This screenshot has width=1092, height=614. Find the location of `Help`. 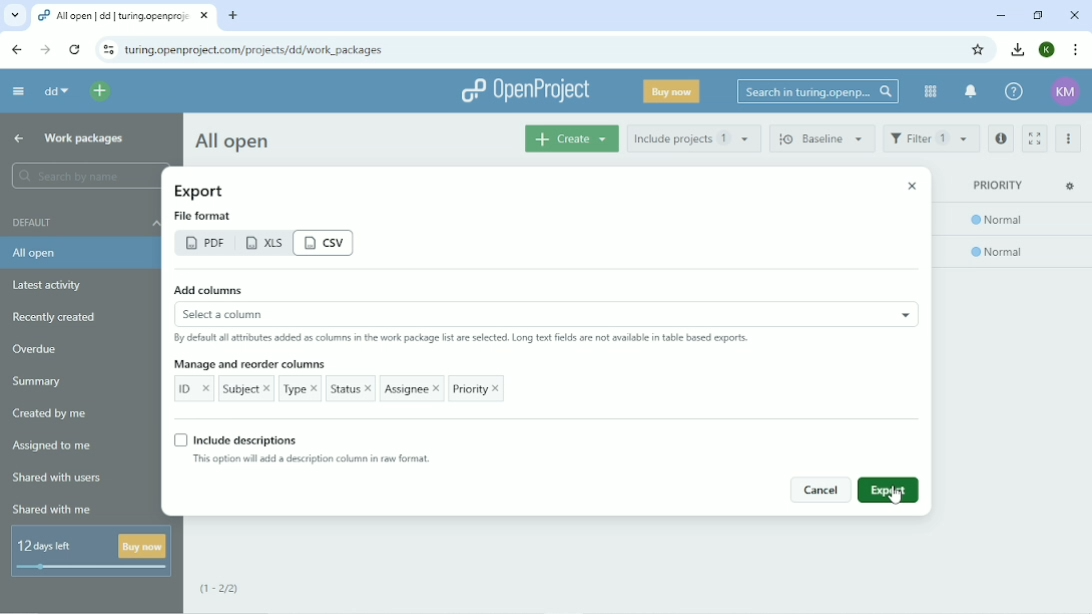

Help is located at coordinates (1013, 92).